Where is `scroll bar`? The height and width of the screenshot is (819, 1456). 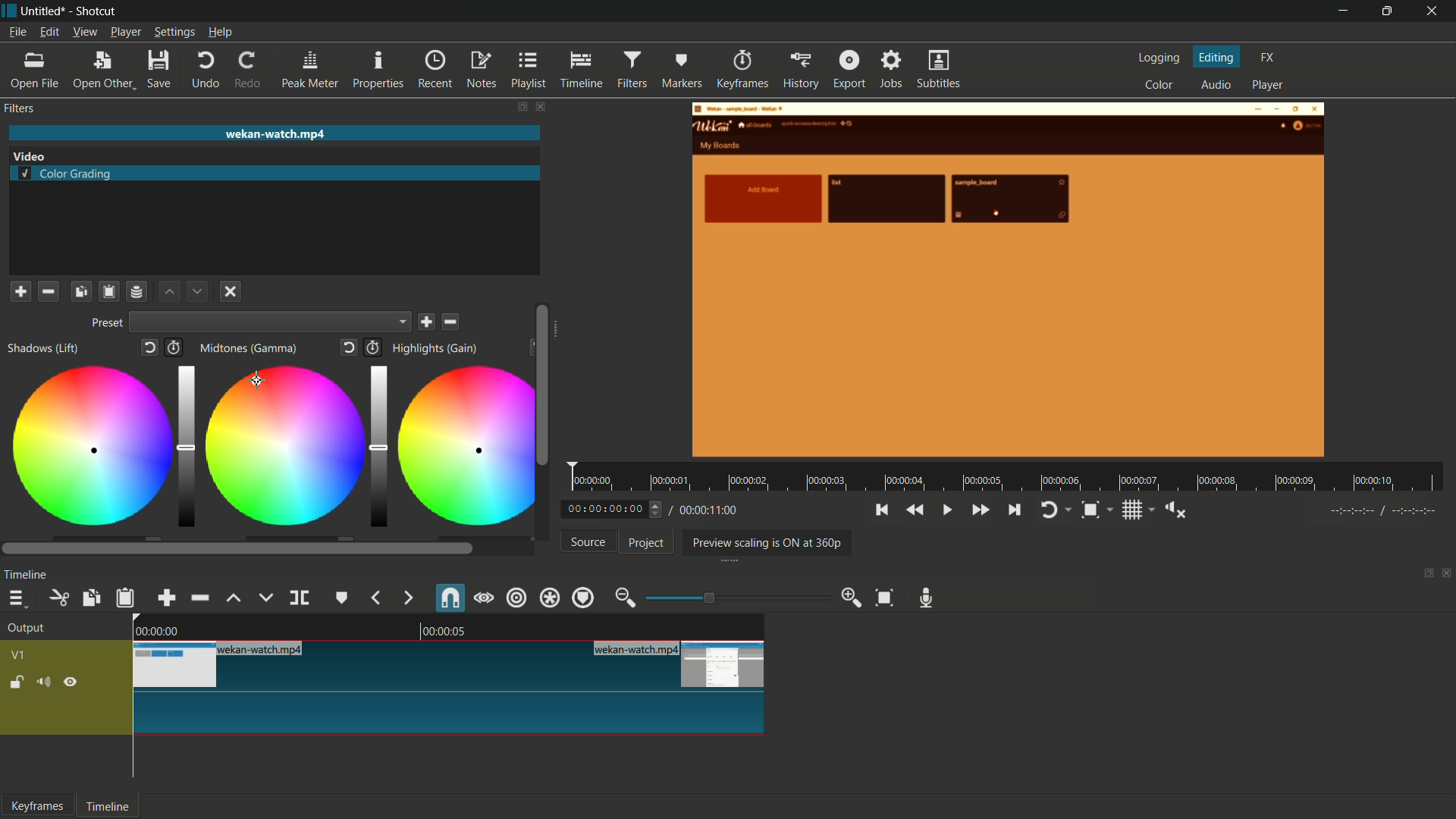
scroll bar is located at coordinates (559, 334).